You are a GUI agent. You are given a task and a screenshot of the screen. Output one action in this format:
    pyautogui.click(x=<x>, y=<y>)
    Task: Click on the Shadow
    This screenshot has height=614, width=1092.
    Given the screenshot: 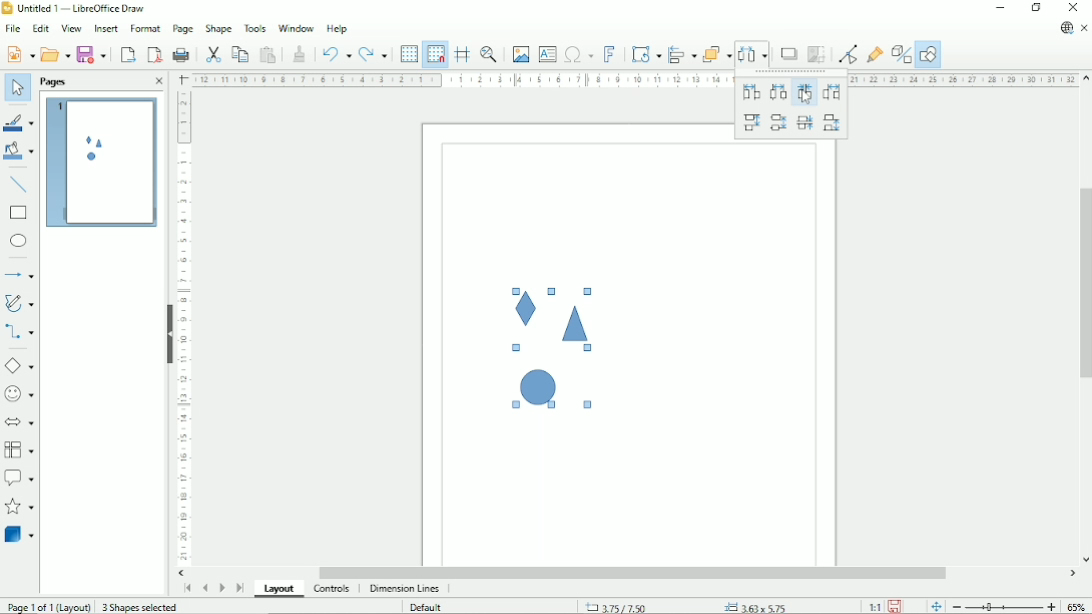 What is the action you would take?
    pyautogui.click(x=789, y=54)
    